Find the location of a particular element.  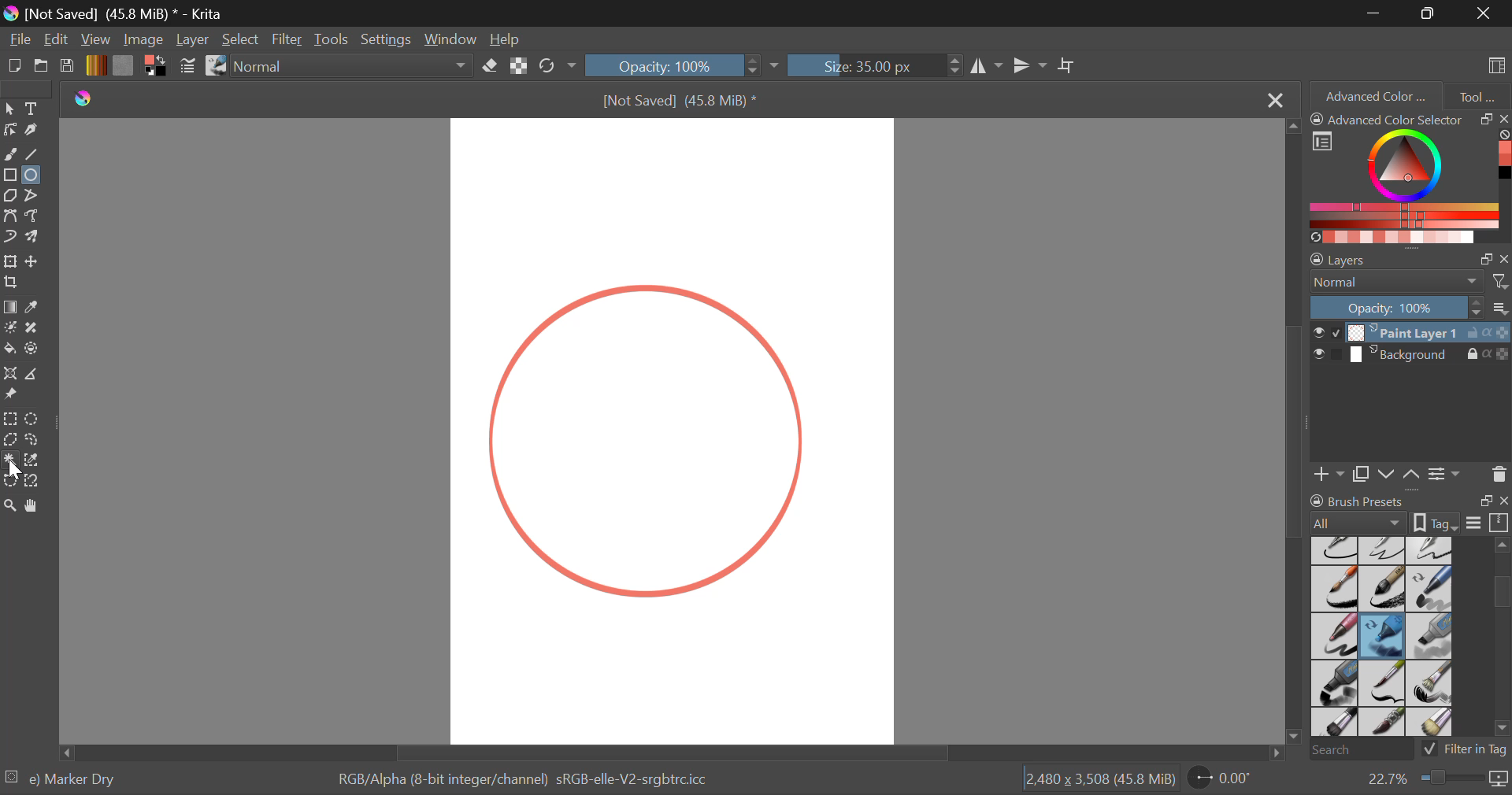

Calligraphic Tool is located at coordinates (35, 130).